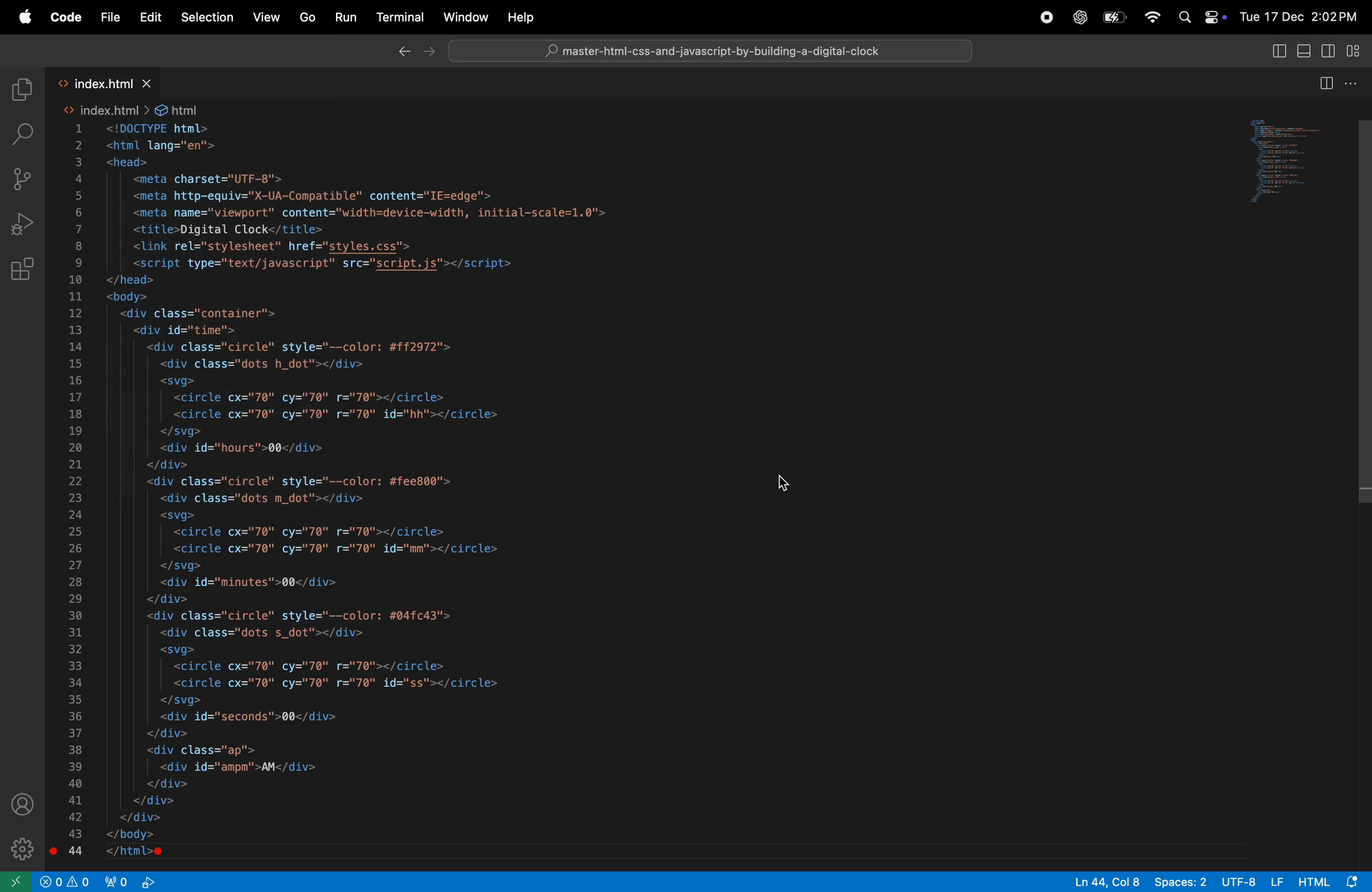 The image size is (1372, 892). Describe the element at coordinates (149, 84) in the screenshot. I see `close` at that location.